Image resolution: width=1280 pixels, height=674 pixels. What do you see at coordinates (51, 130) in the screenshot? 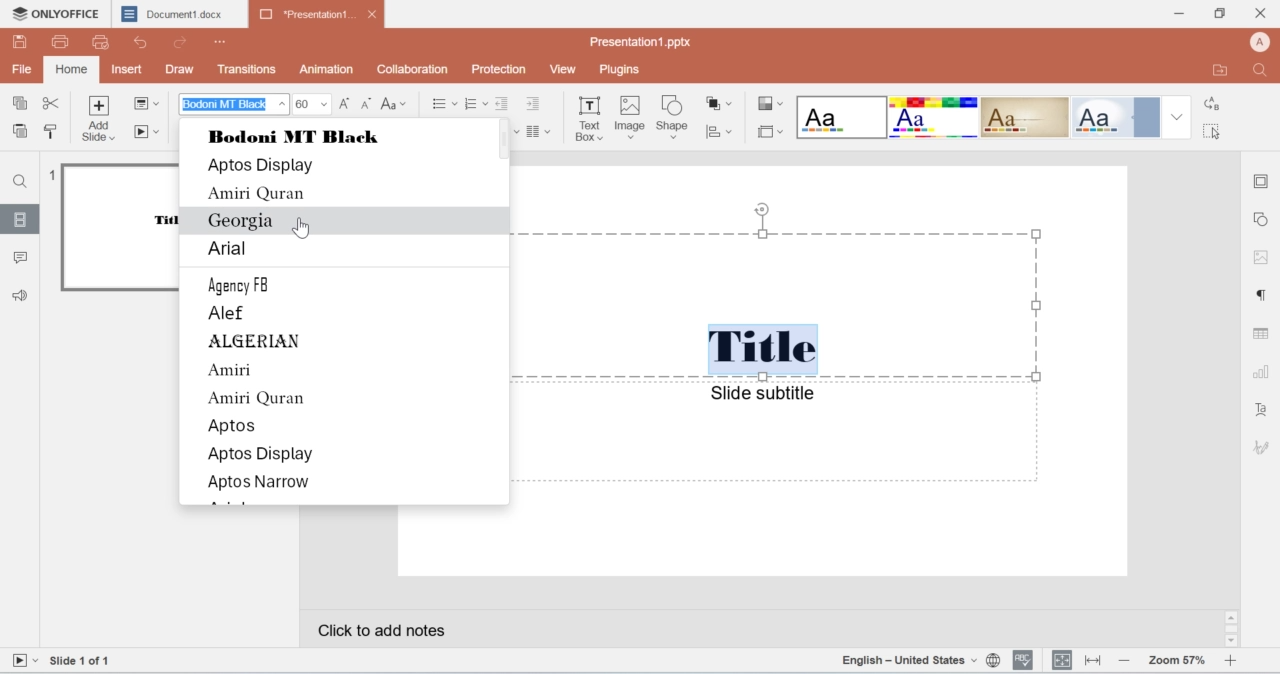
I see `paint` at bounding box center [51, 130].